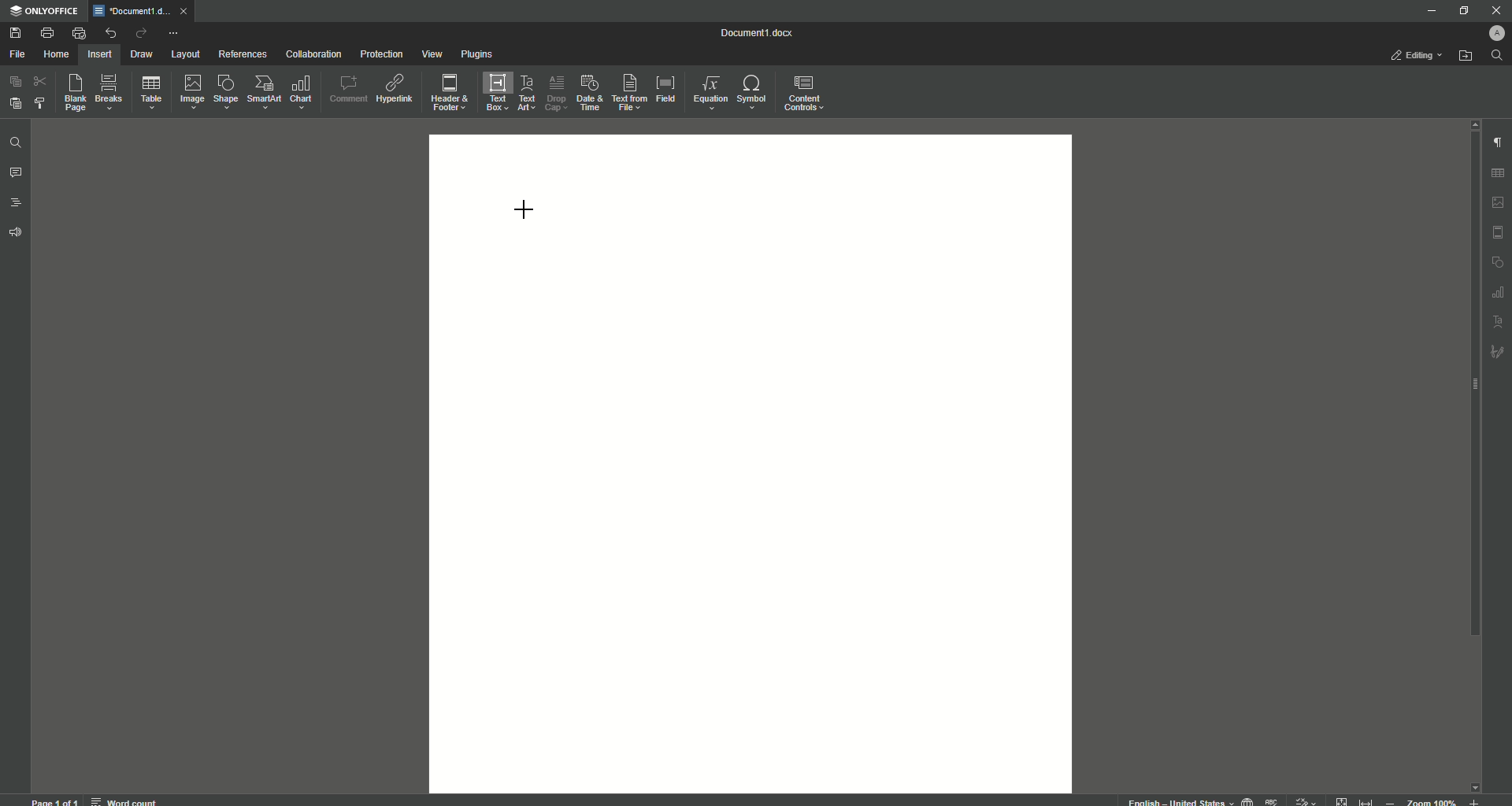 The width and height of the screenshot is (1512, 806). I want to click on References, so click(243, 54).